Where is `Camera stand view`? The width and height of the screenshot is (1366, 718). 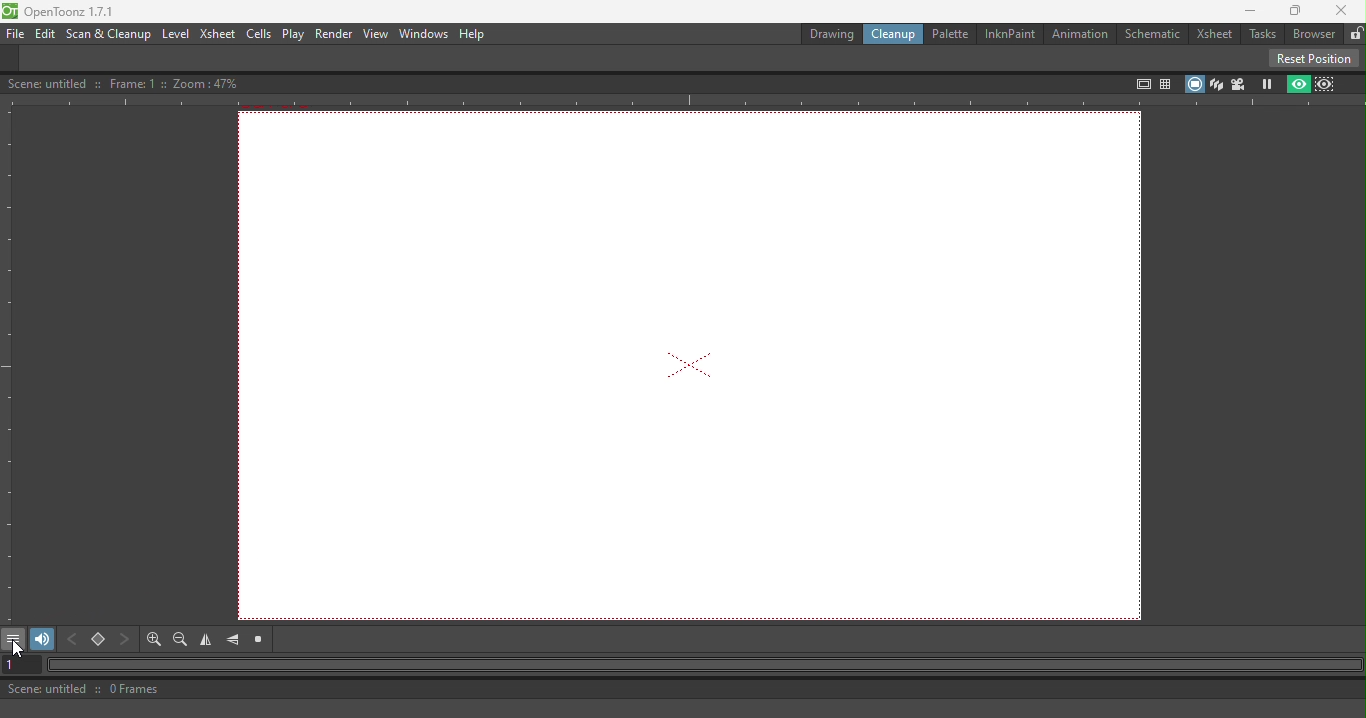
Camera stand view is located at coordinates (1193, 83).